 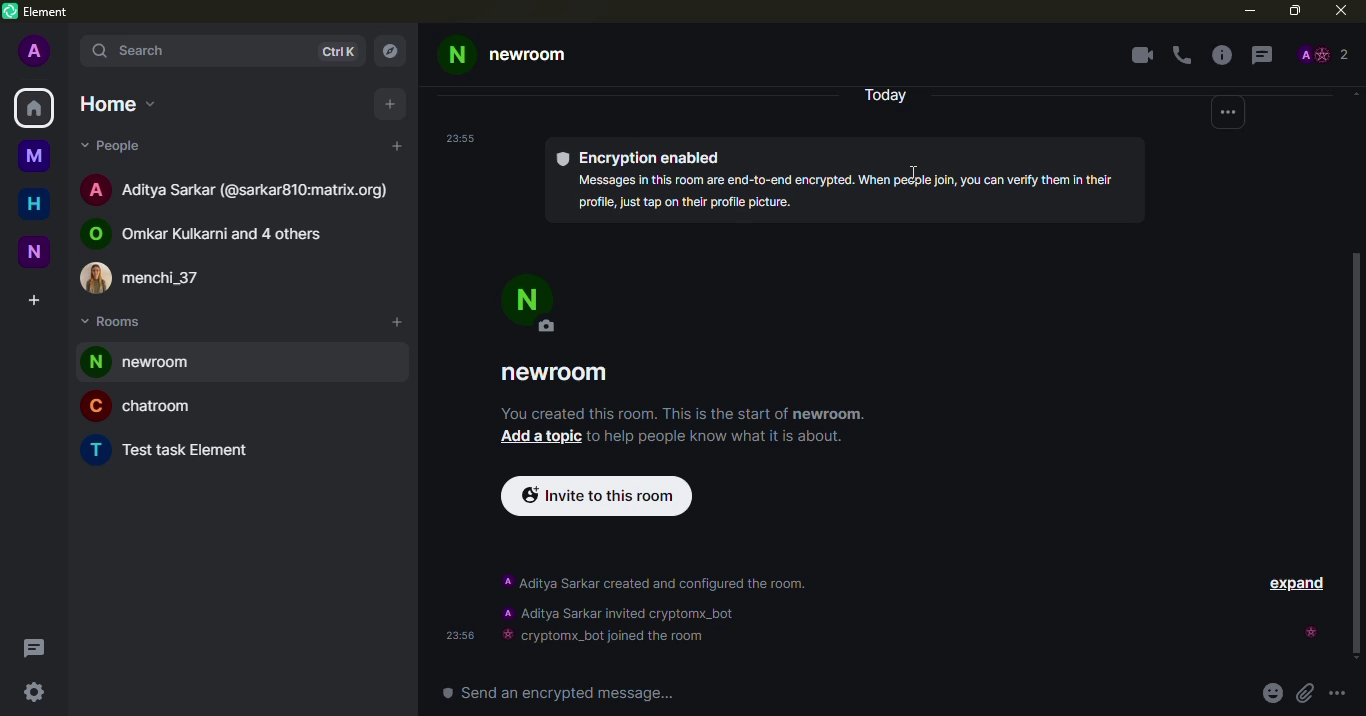 I want to click on home, so click(x=34, y=107).